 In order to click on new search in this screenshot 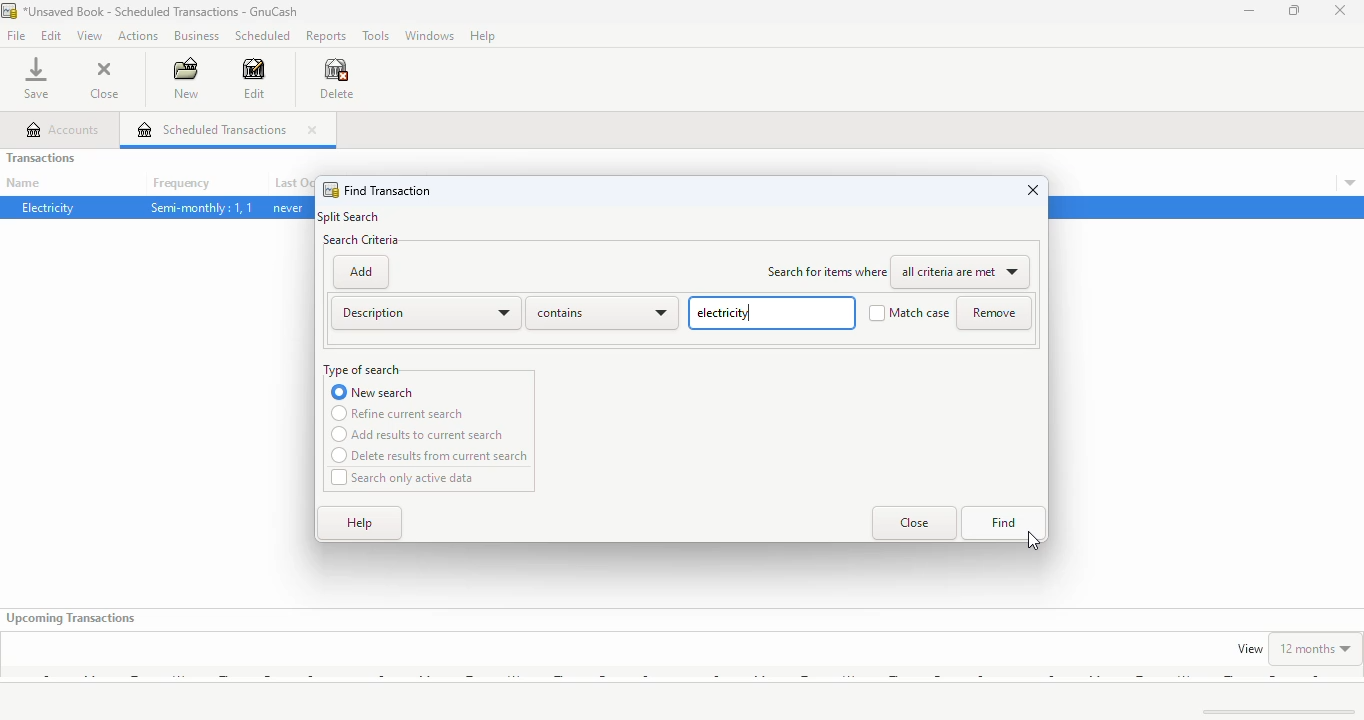, I will do `click(373, 392)`.